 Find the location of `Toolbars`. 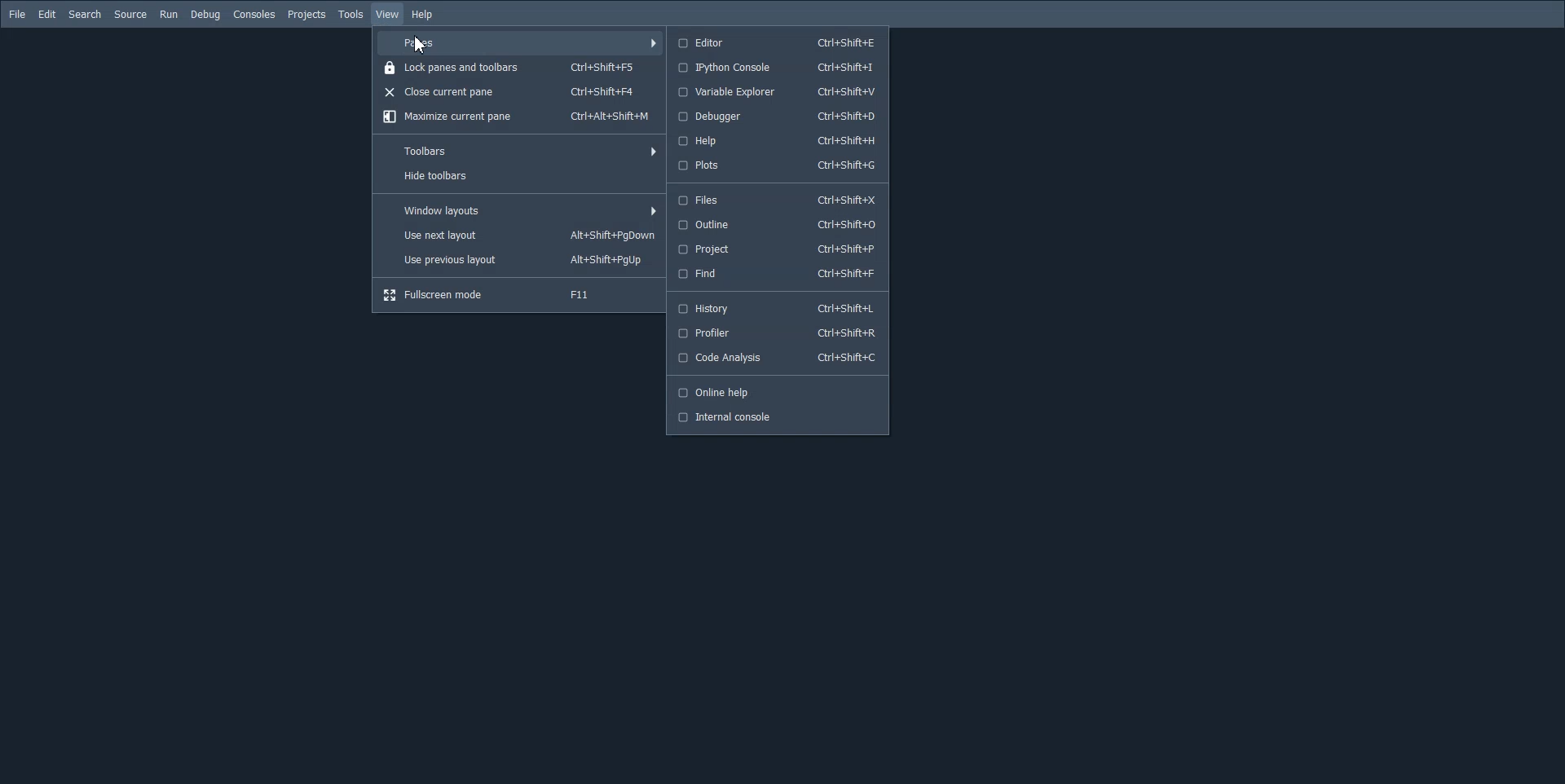

Toolbars is located at coordinates (518, 151).